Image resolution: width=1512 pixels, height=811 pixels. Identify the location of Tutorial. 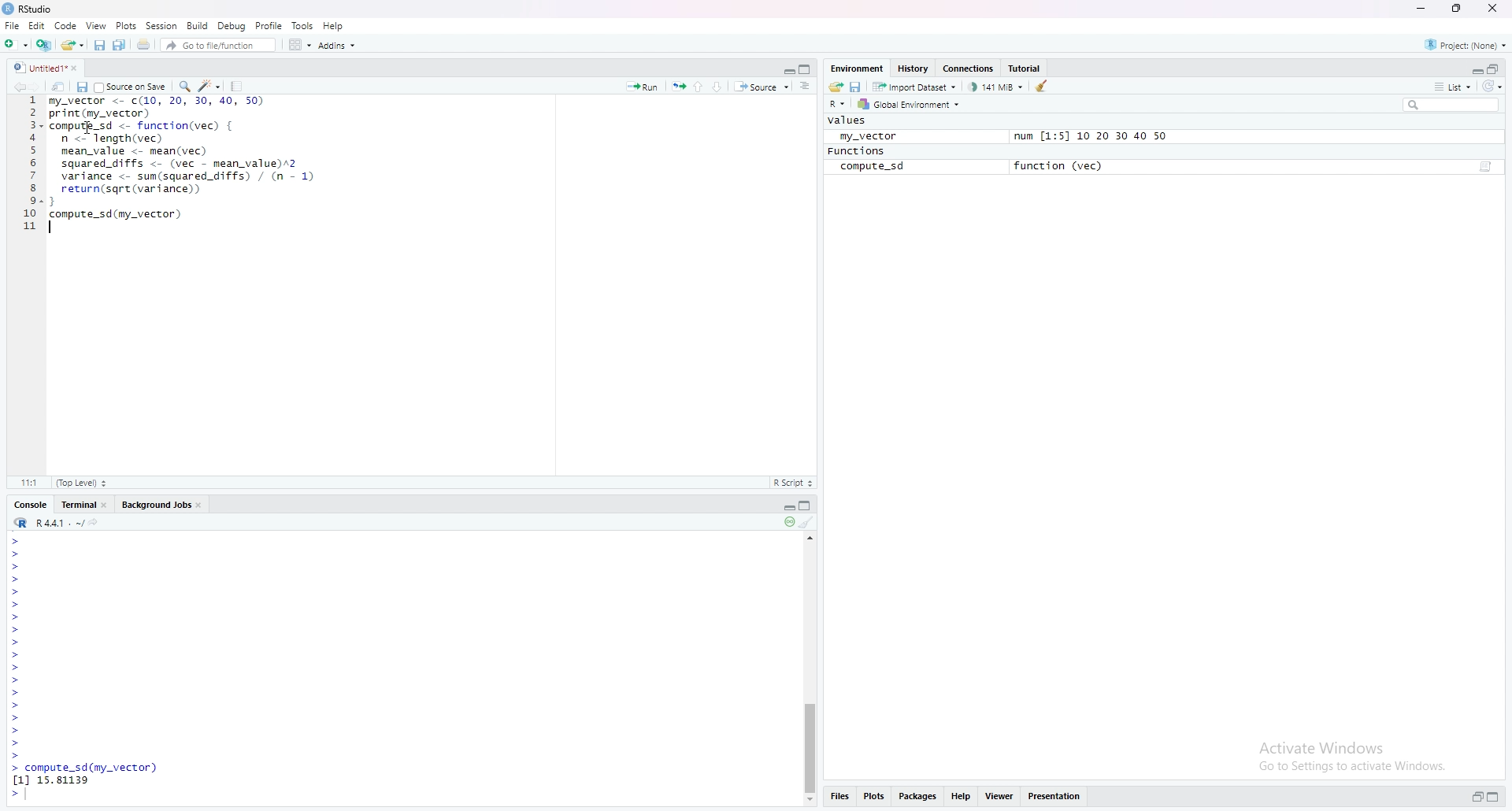
(1026, 67).